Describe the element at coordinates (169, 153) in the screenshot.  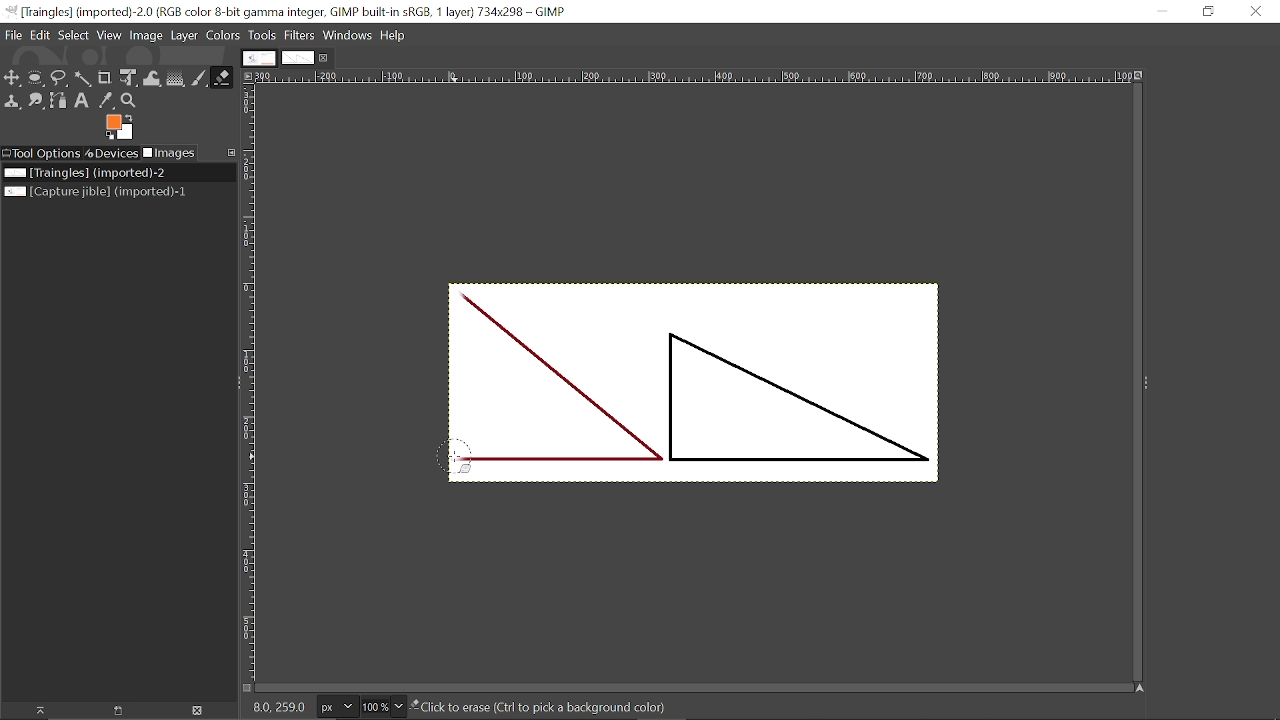
I see `Images` at that location.